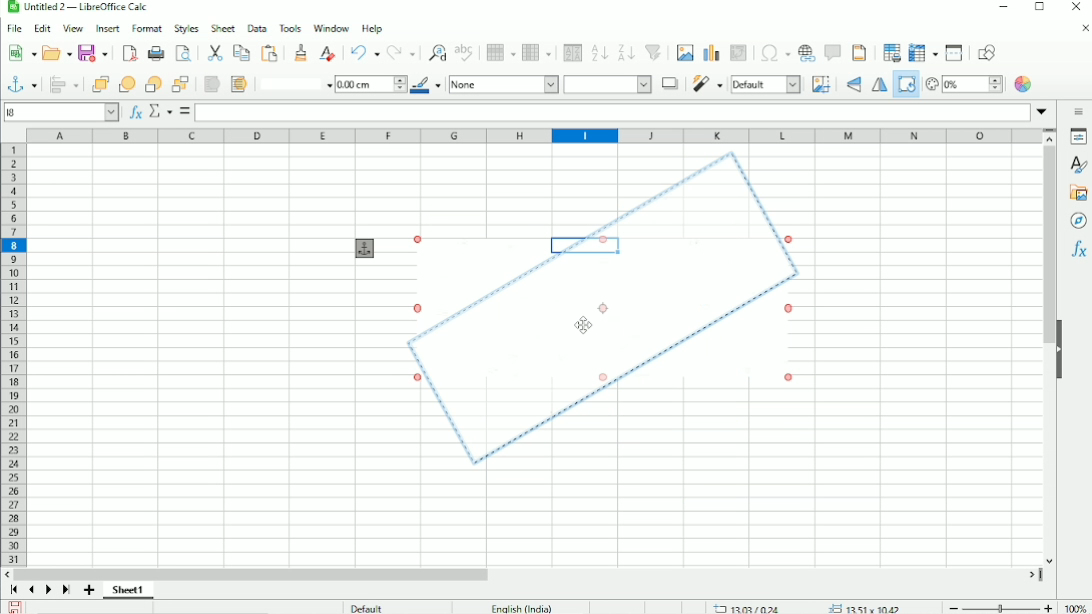  I want to click on , so click(181, 84).